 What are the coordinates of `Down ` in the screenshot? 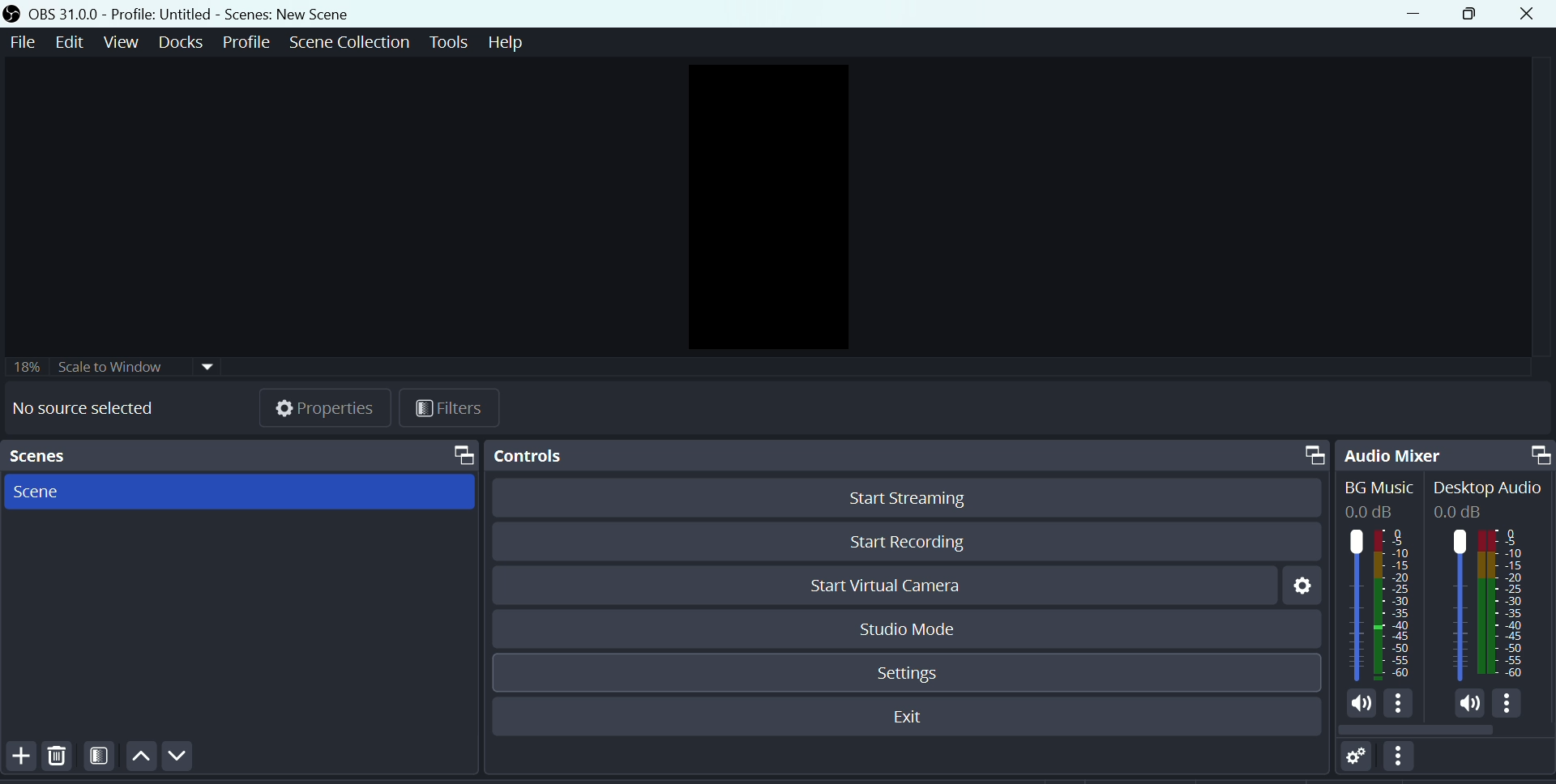 It's located at (183, 756).